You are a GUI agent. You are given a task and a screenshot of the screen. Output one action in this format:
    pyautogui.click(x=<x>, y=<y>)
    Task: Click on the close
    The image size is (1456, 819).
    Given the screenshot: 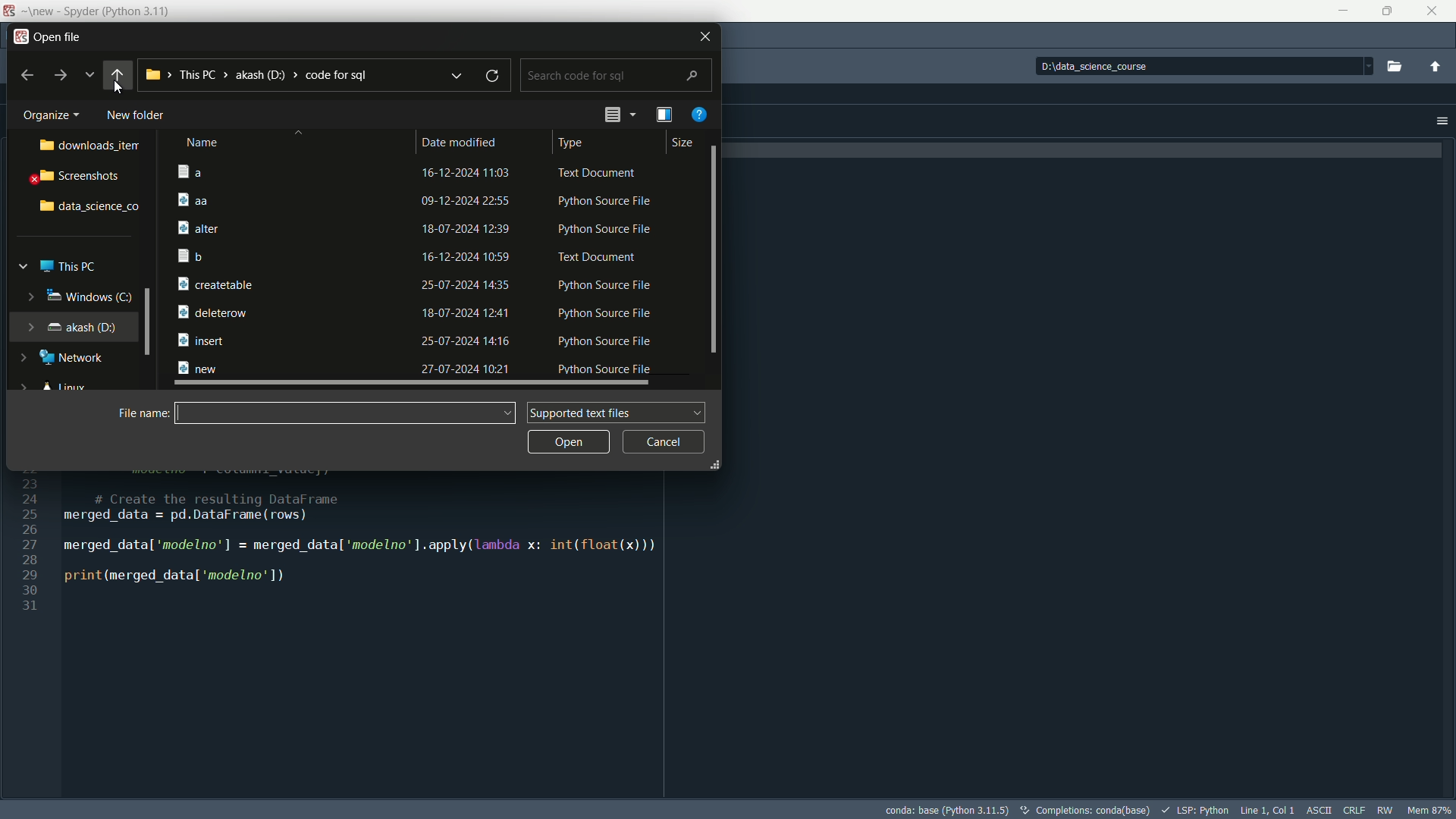 What is the action you would take?
    pyautogui.click(x=704, y=36)
    